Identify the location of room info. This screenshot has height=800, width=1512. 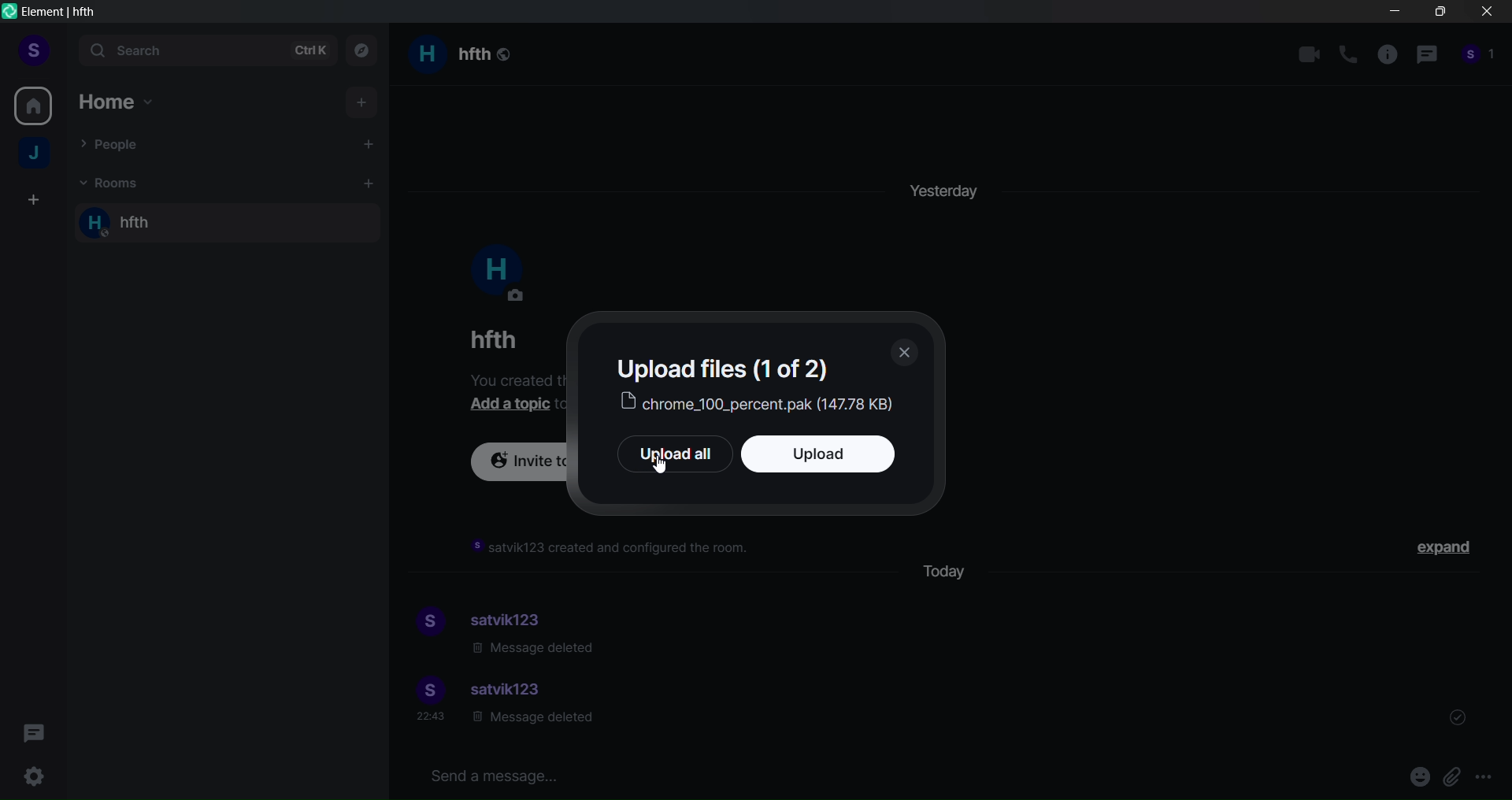
(1385, 57).